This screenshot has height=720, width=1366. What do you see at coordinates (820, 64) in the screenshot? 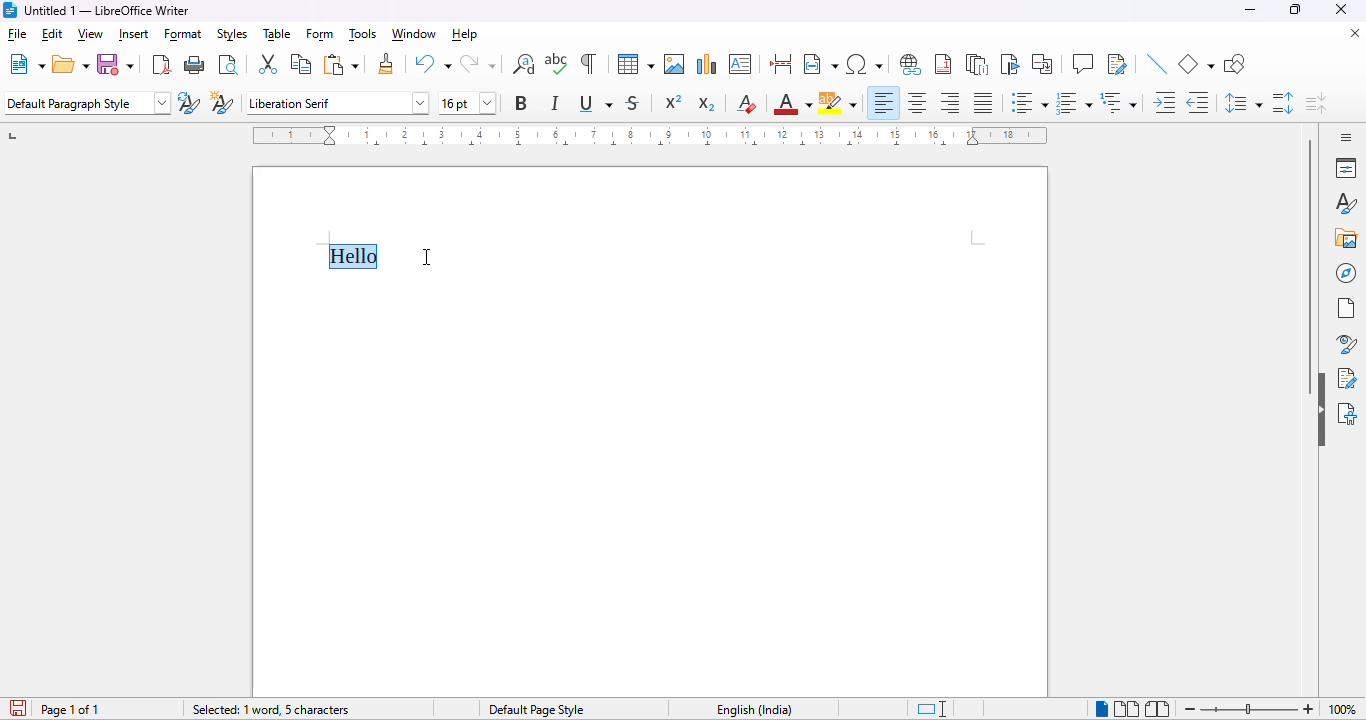
I see `insert field` at bounding box center [820, 64].